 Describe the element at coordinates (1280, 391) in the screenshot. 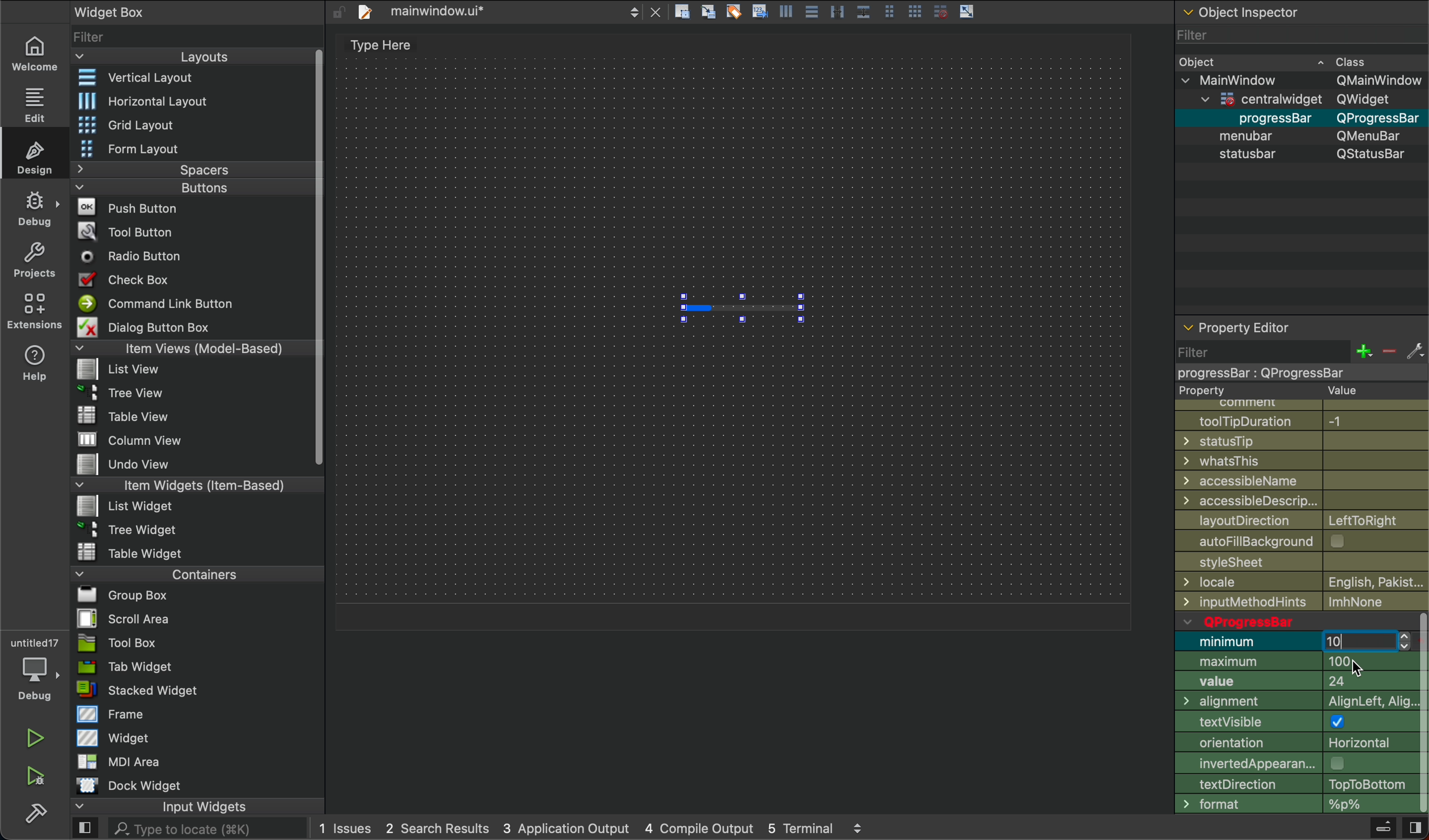

I see `property` at that location.